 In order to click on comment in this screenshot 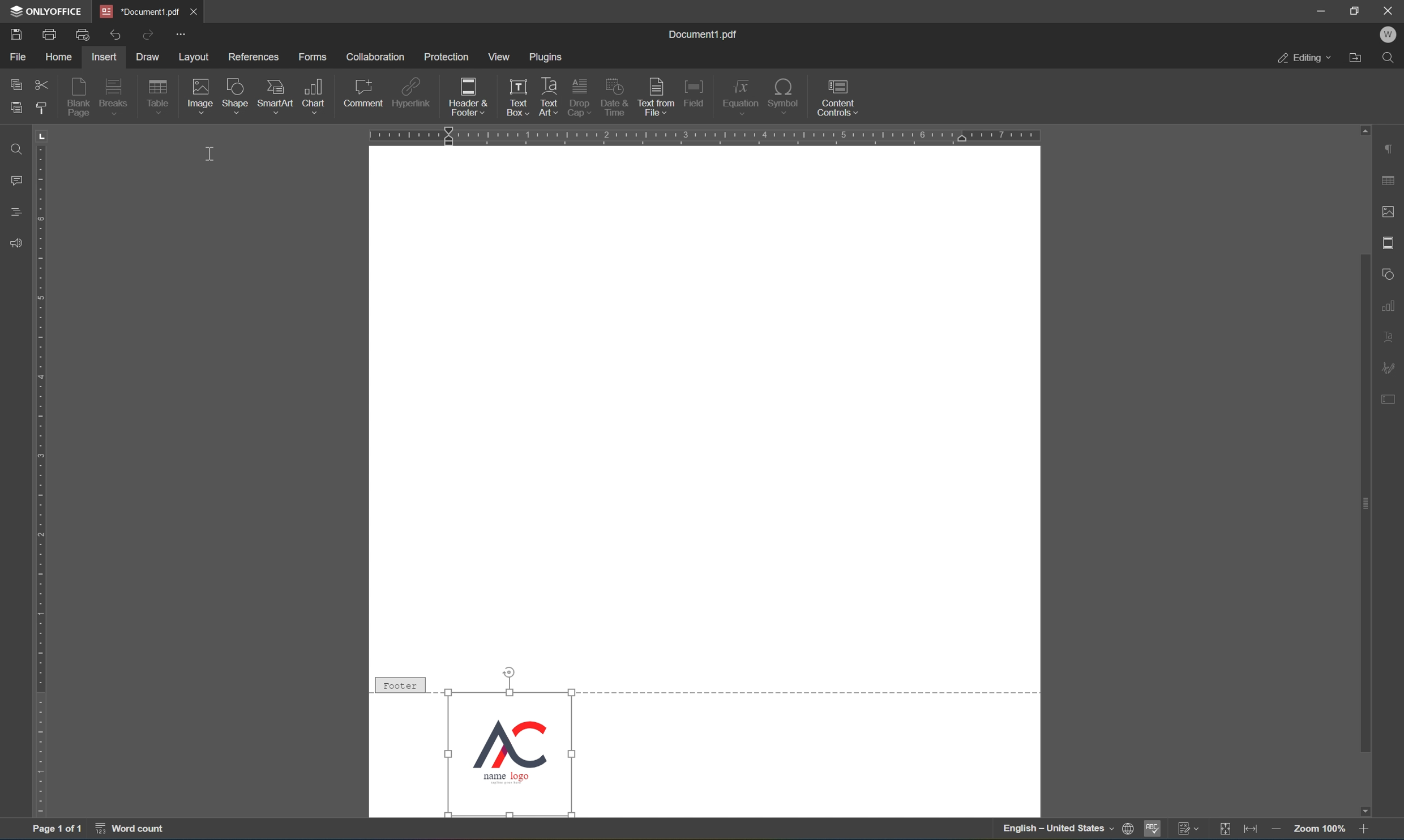, I will do `click(364, 93)`.